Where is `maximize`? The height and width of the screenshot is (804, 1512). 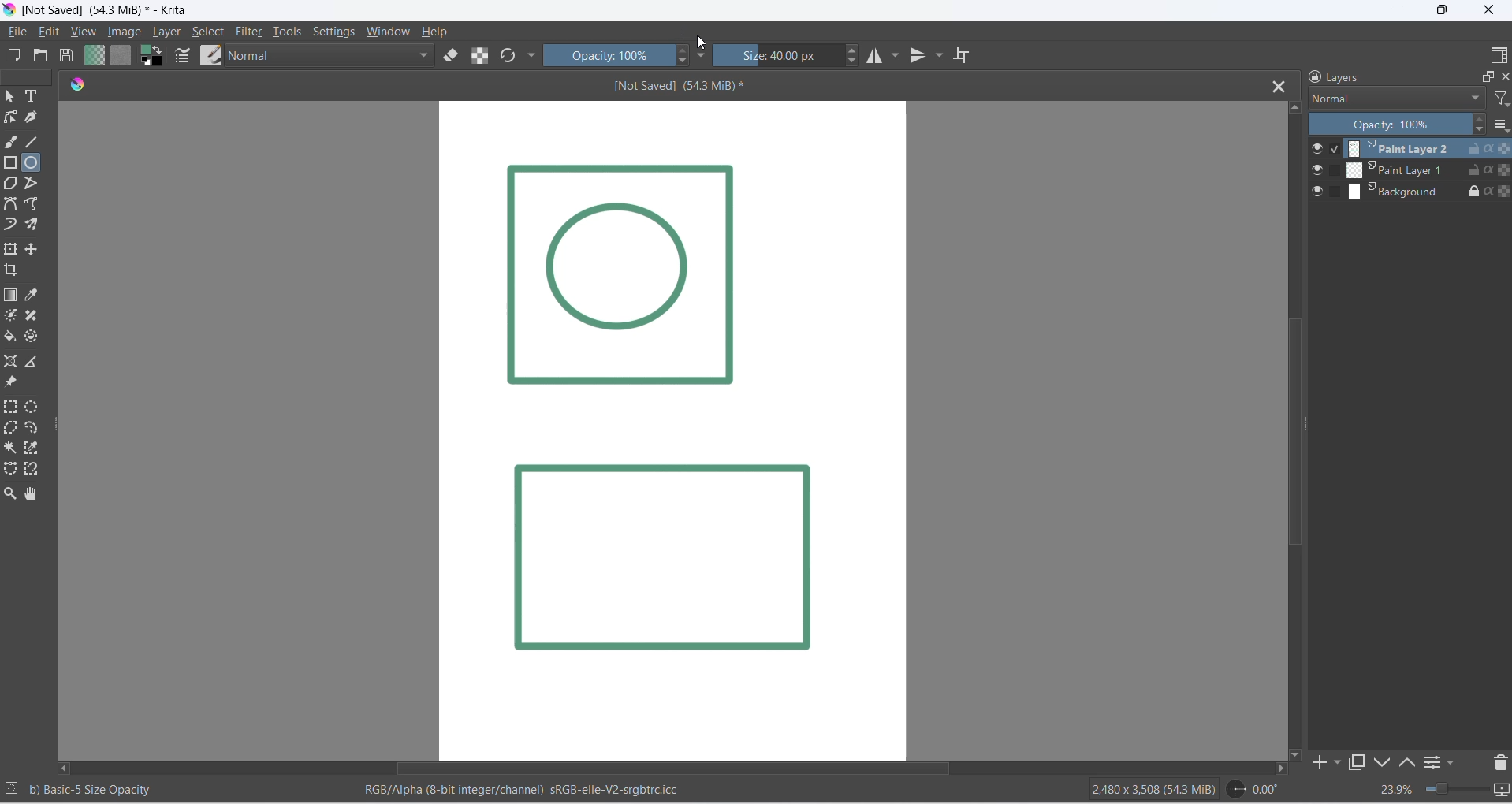 maximize is located at coordinates (1443, 12).